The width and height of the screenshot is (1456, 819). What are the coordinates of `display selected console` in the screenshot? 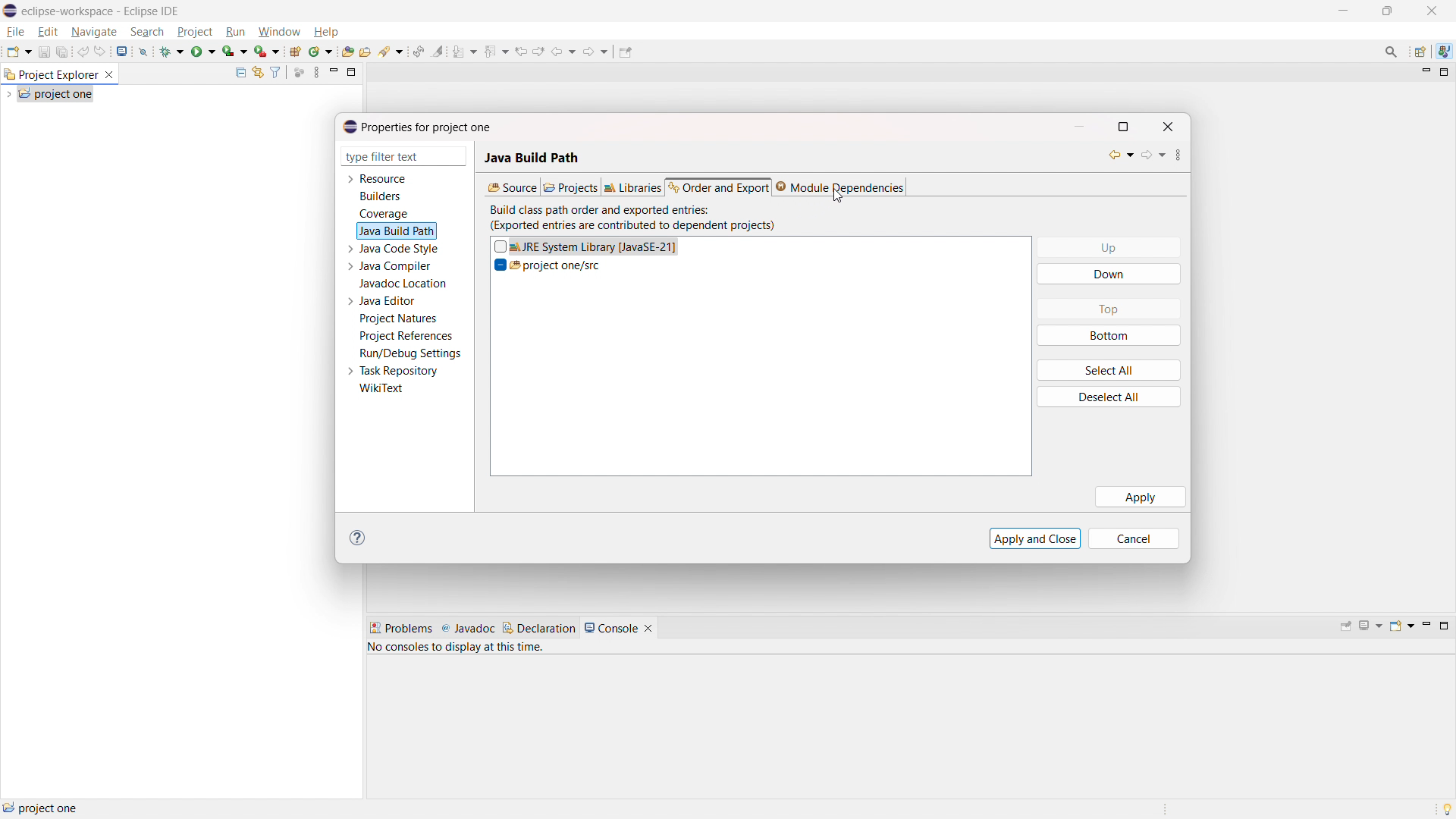 It's located at (1372, 626).